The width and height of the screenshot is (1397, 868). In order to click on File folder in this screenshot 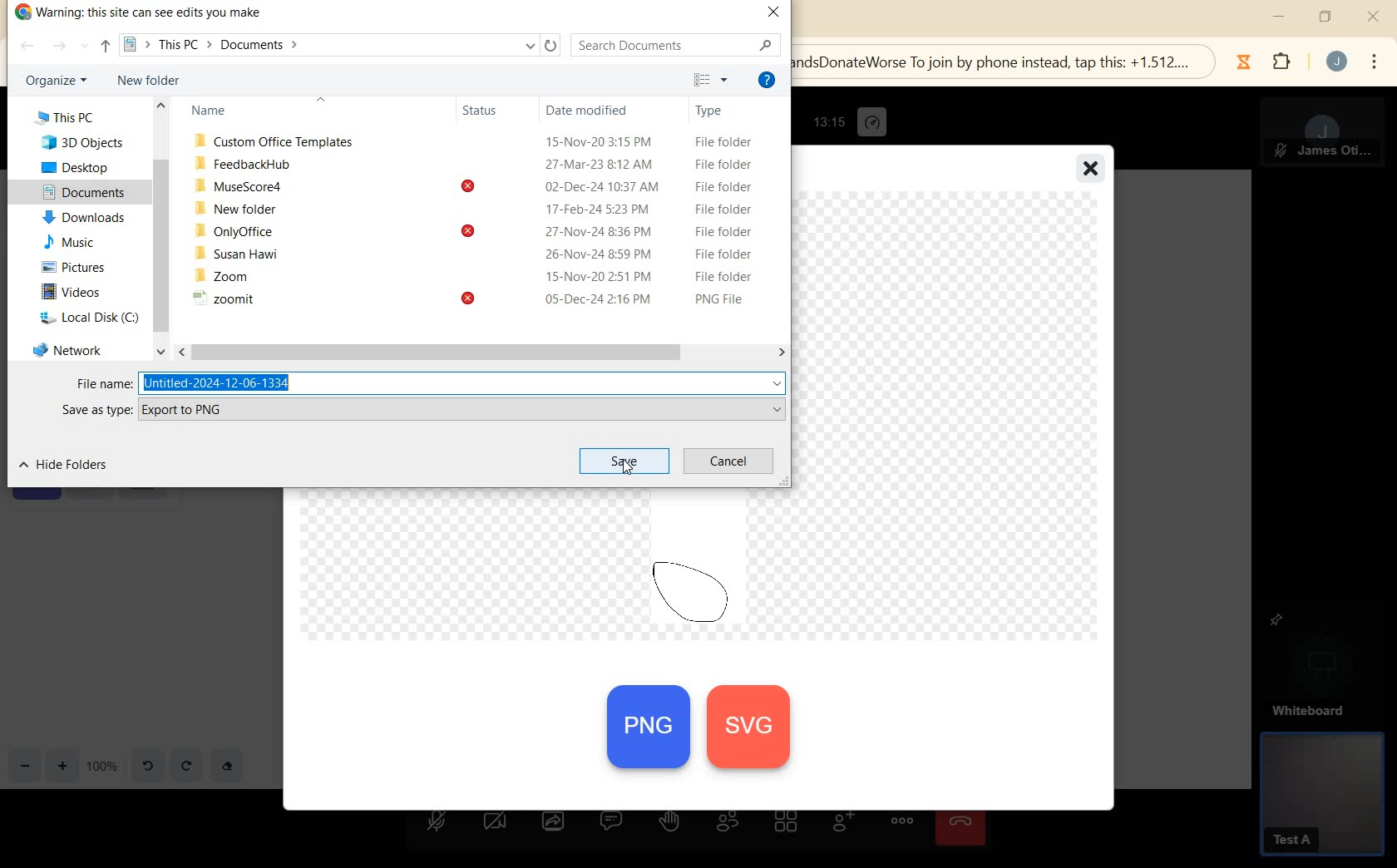, I will do `click(733, 164)`.